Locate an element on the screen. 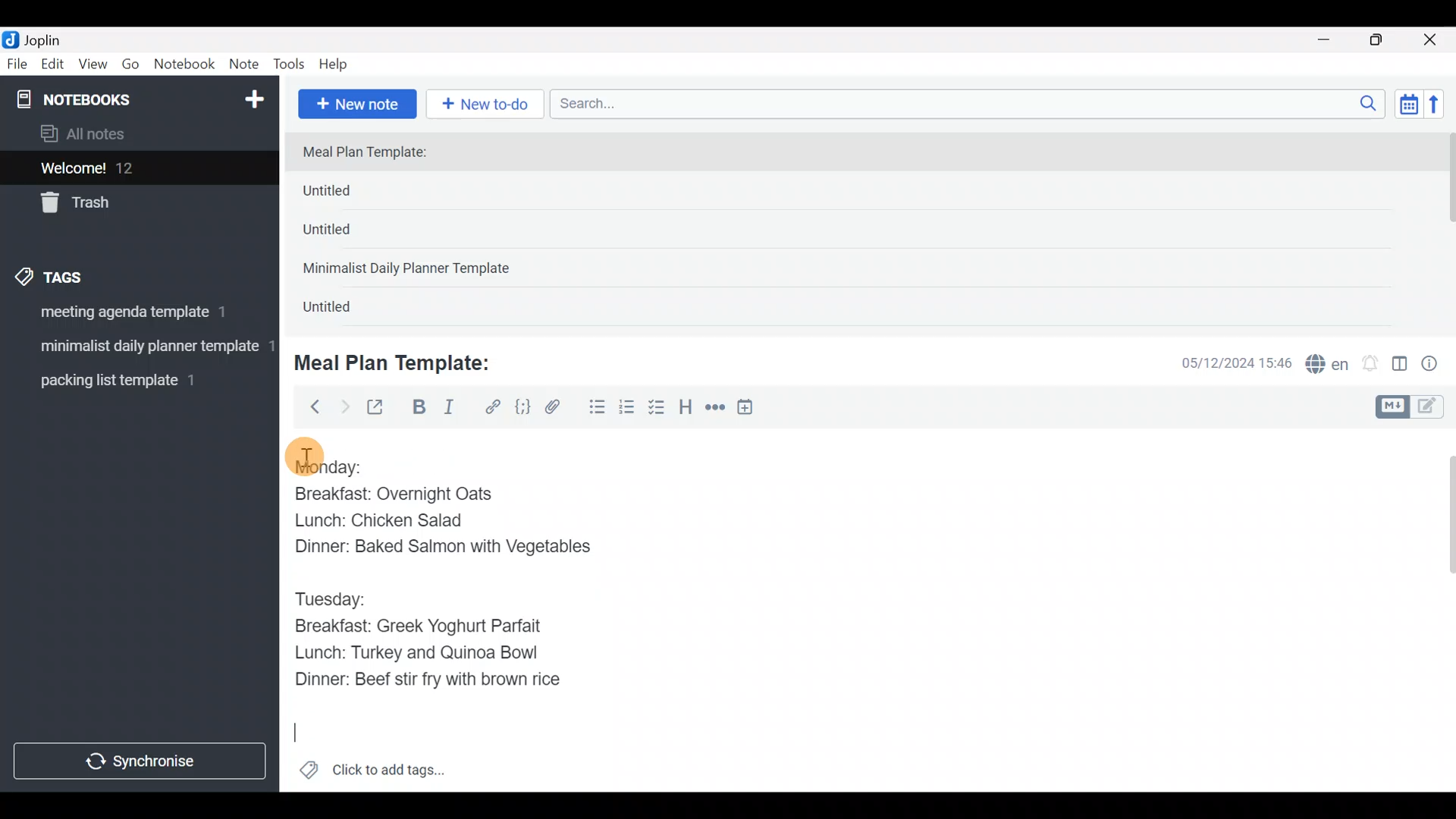 This screenshot has height=819, width=1456. Heading is located at coordinates (686, 409).